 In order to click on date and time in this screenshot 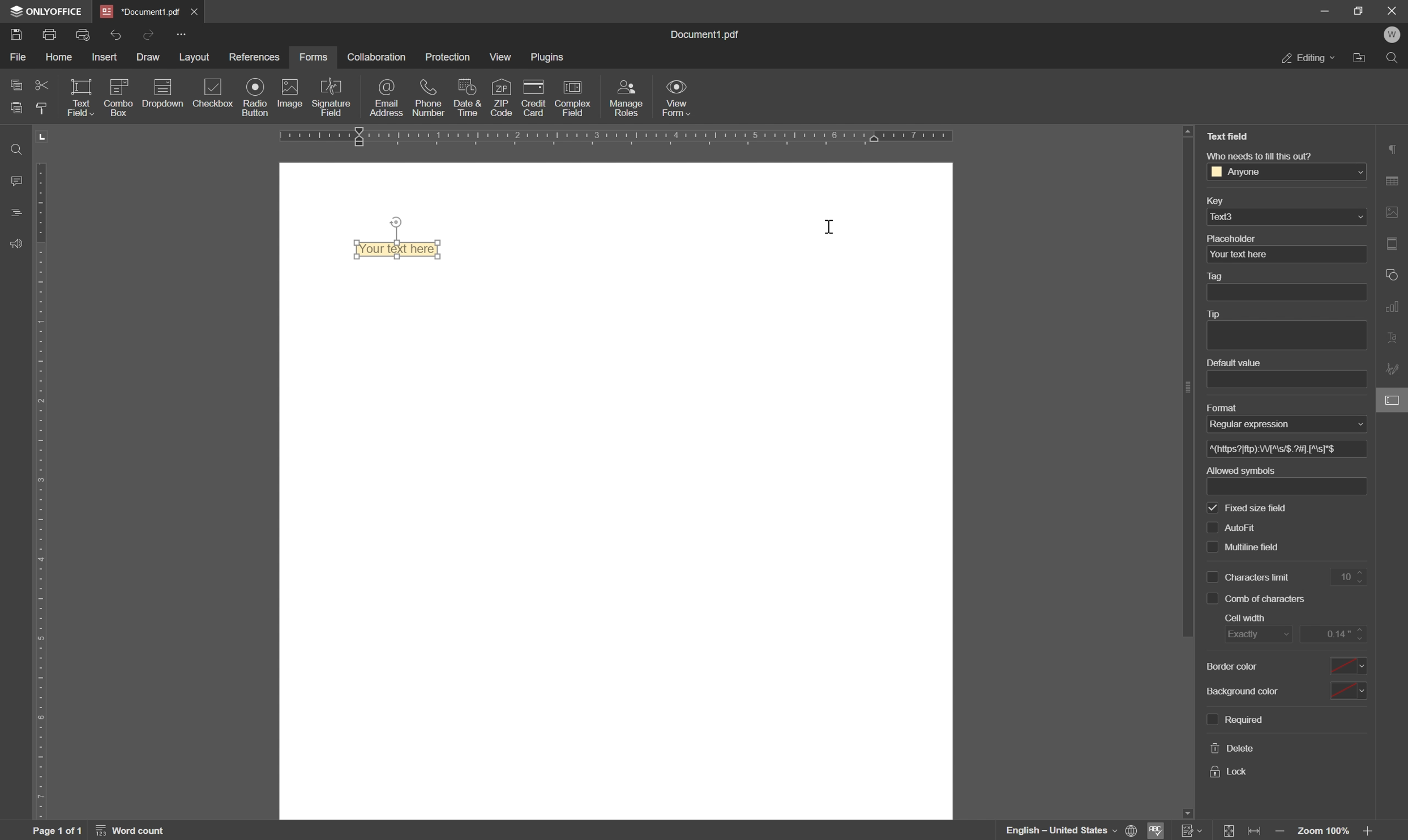, I will do `click(467, 98)`.